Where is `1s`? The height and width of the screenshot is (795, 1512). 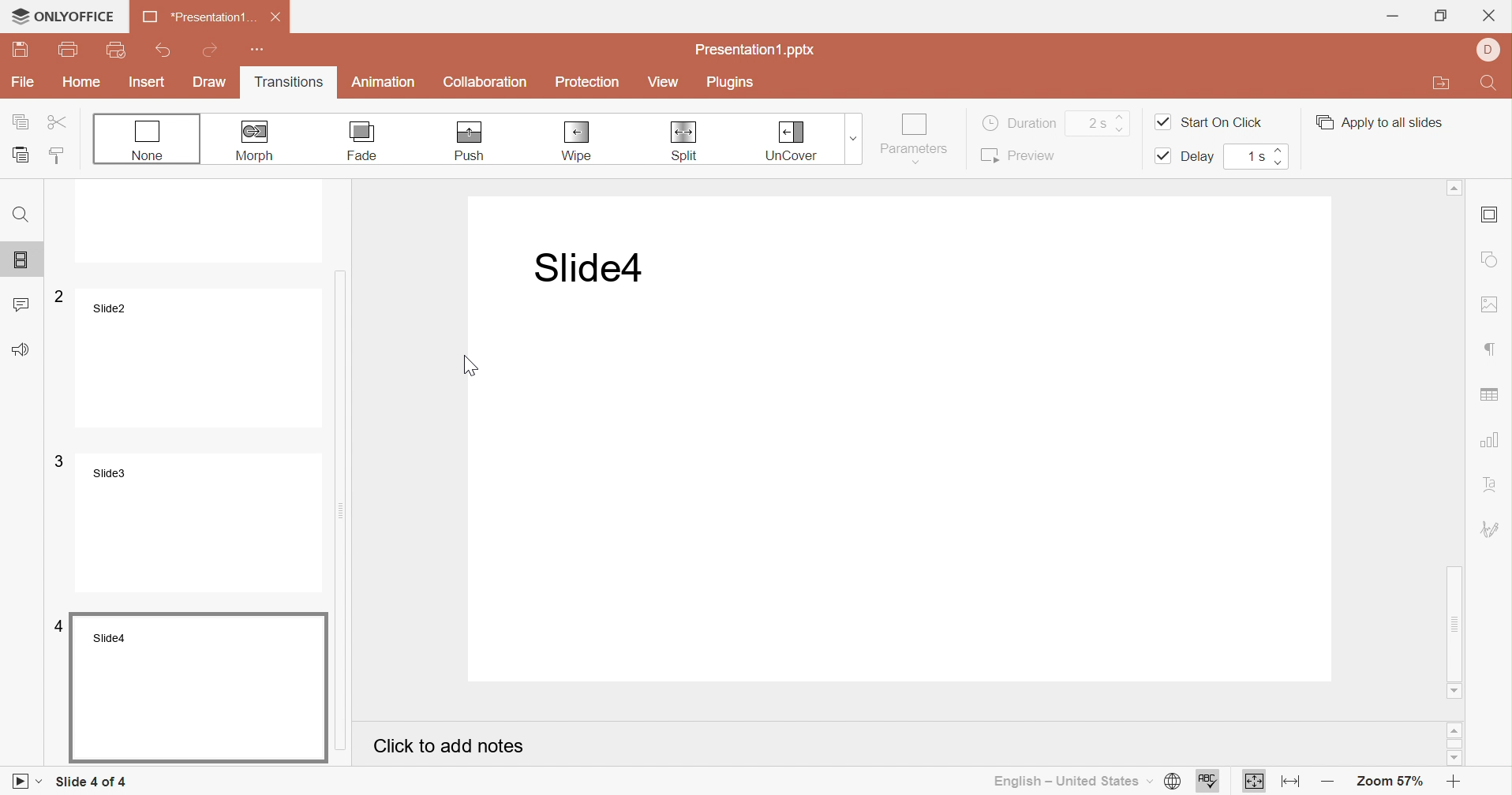
1s is located at coordinates (1254, 156).